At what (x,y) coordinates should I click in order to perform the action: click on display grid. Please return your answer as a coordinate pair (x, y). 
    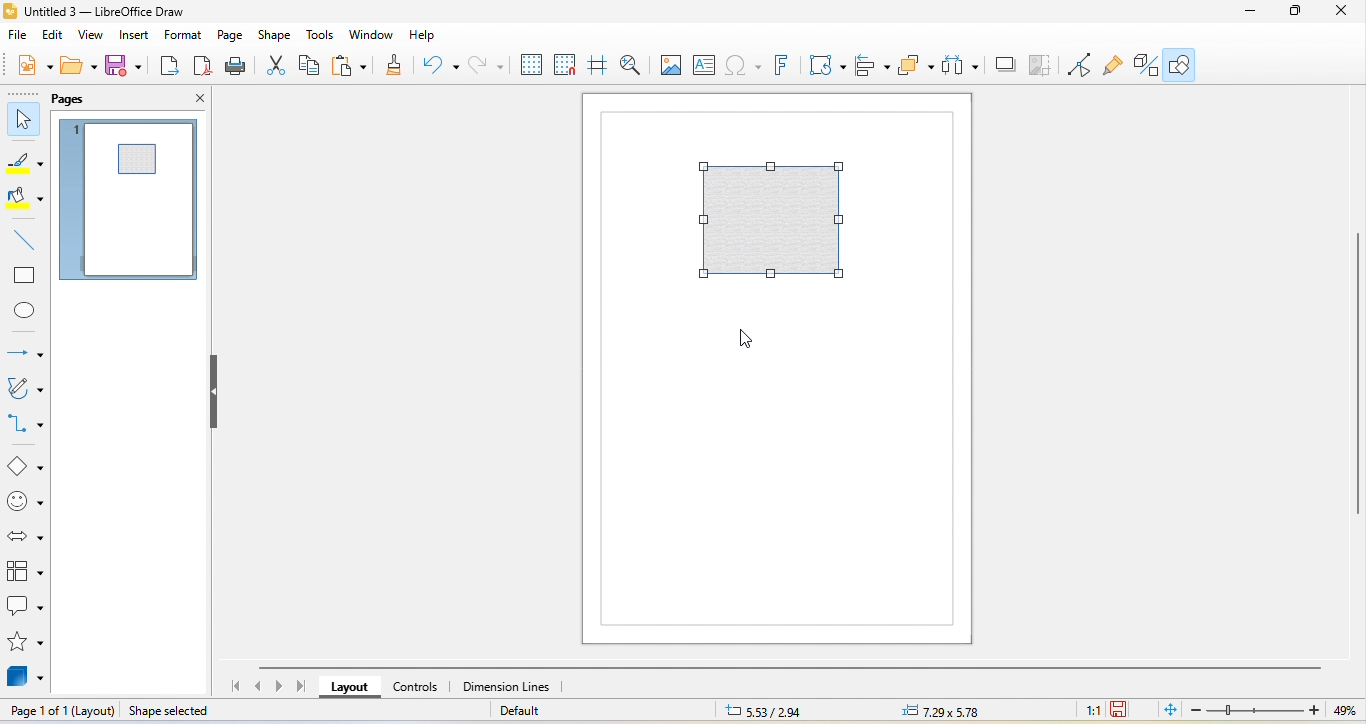
    Looking at the image, I should click on (530, 67).